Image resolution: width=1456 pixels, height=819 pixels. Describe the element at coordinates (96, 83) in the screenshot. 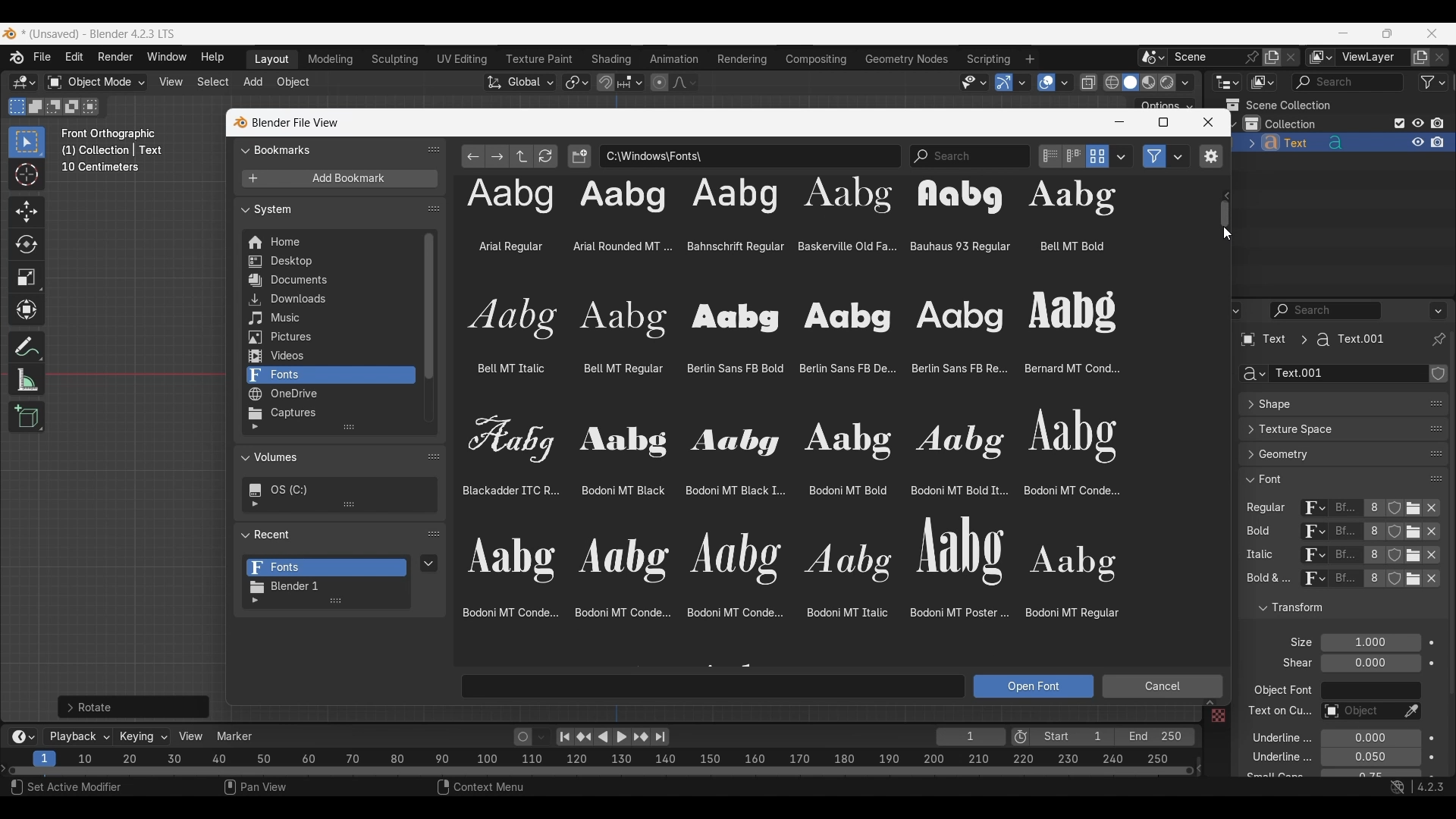

I see `Sets the object interaction mode` at that location.